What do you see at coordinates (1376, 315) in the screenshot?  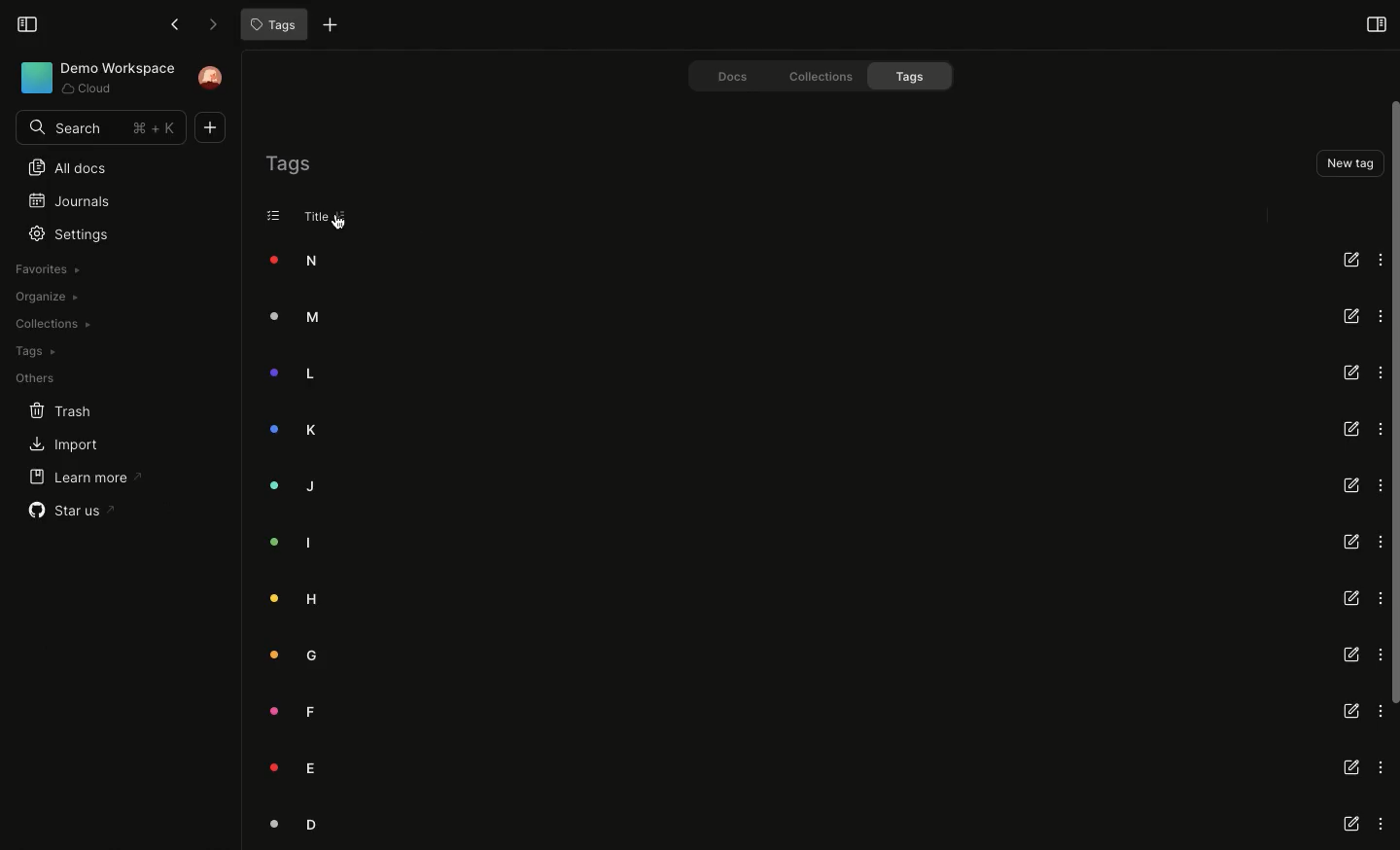 I see `Options` at bounding box center [1376, 315].